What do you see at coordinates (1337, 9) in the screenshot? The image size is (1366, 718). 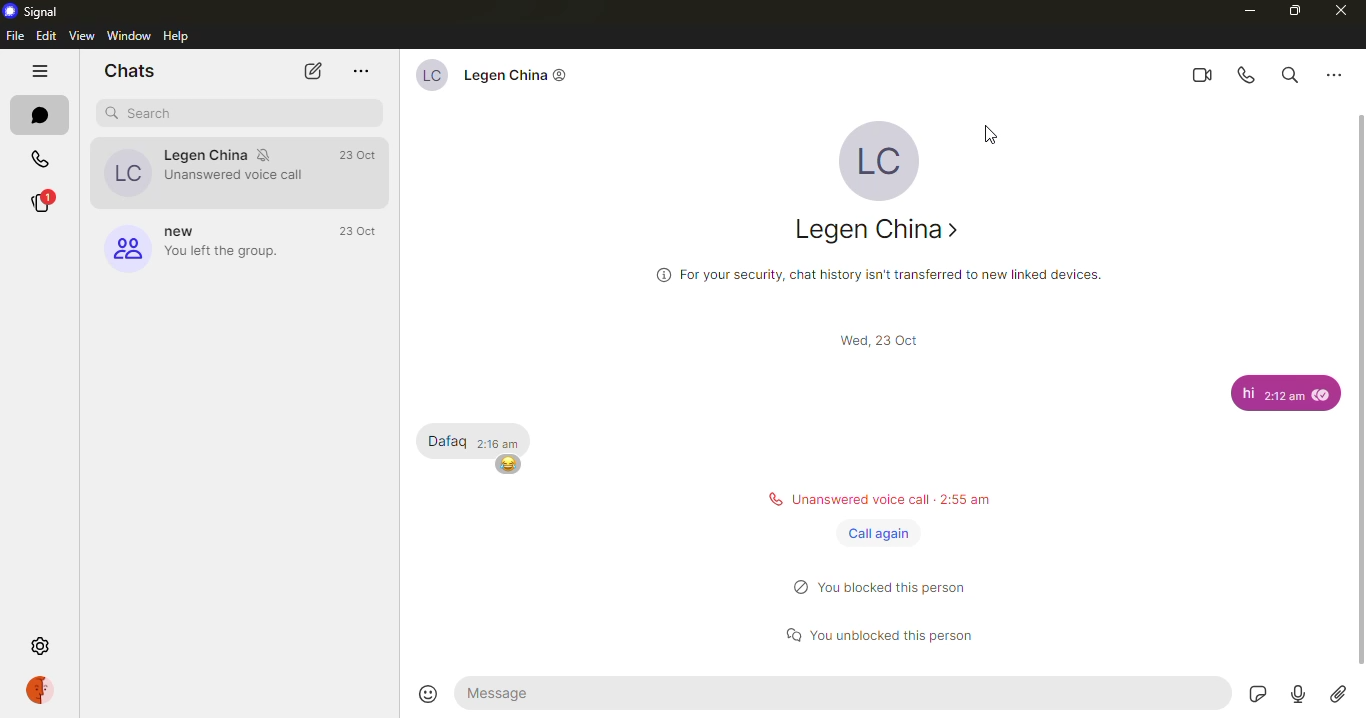 I see `close` at bounding box center [1337, 9].